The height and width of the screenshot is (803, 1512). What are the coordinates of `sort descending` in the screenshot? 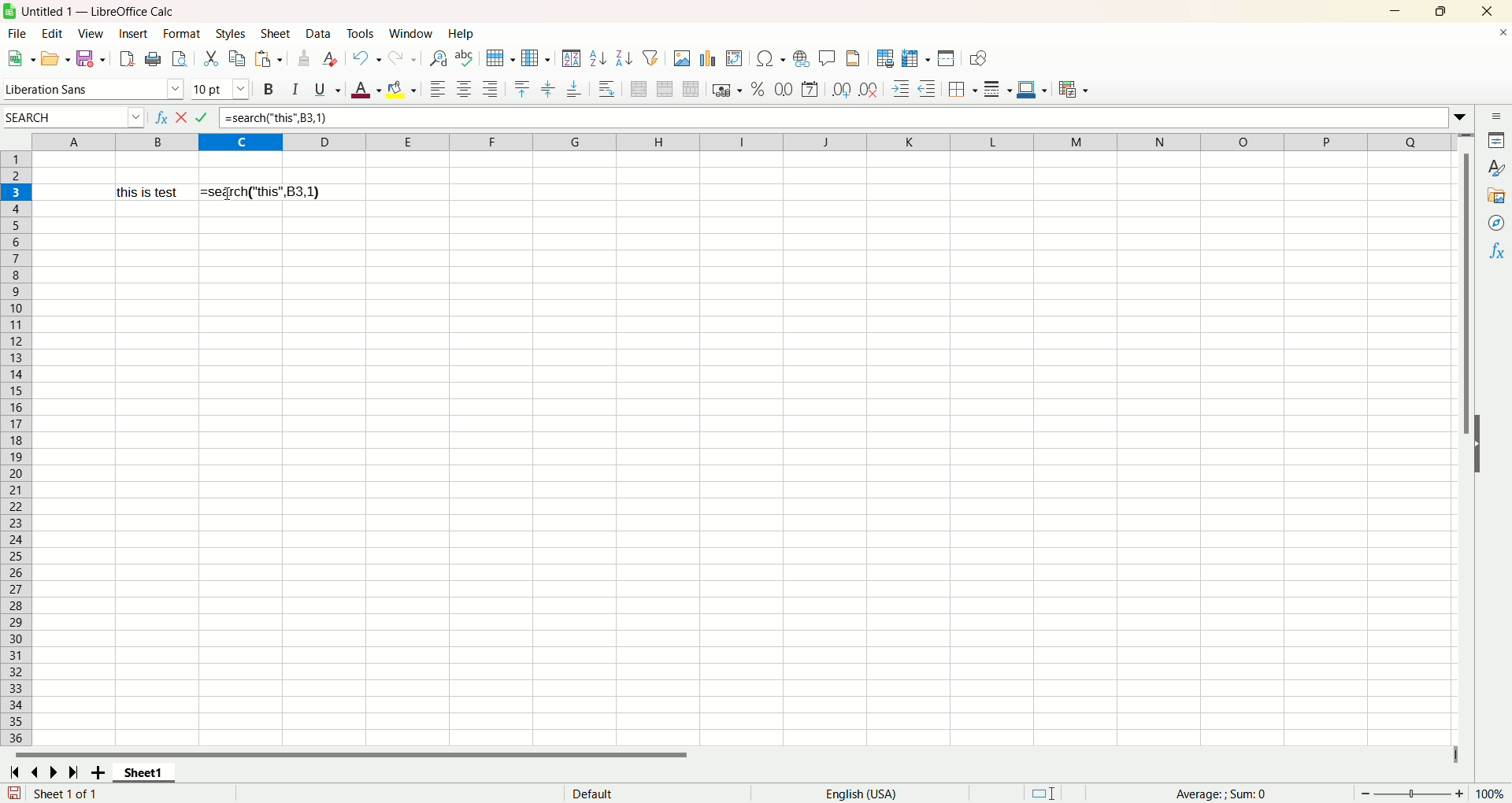 It's located at (622, 57).